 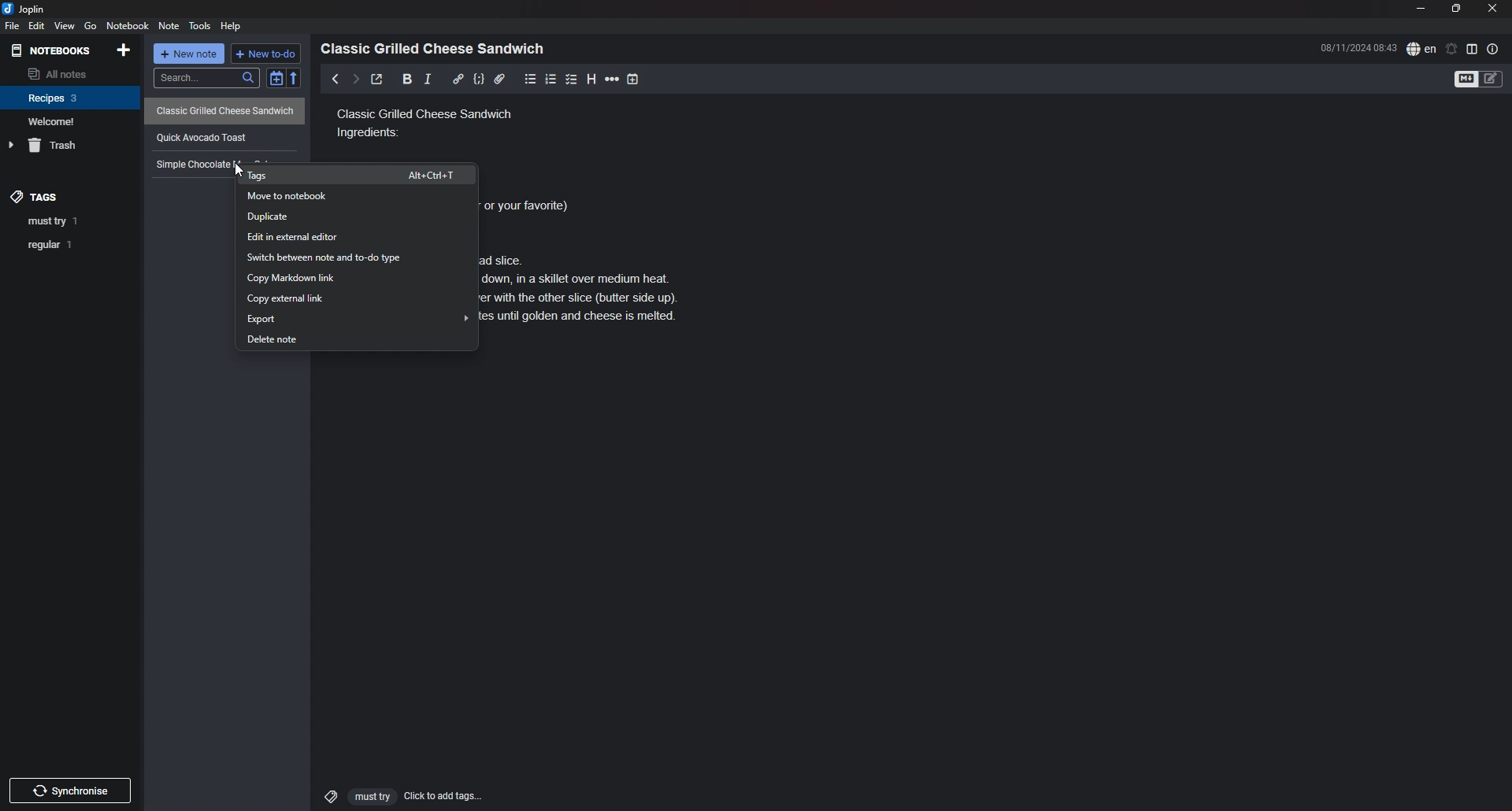 I want to click on tags, so click(x=36, y=192).